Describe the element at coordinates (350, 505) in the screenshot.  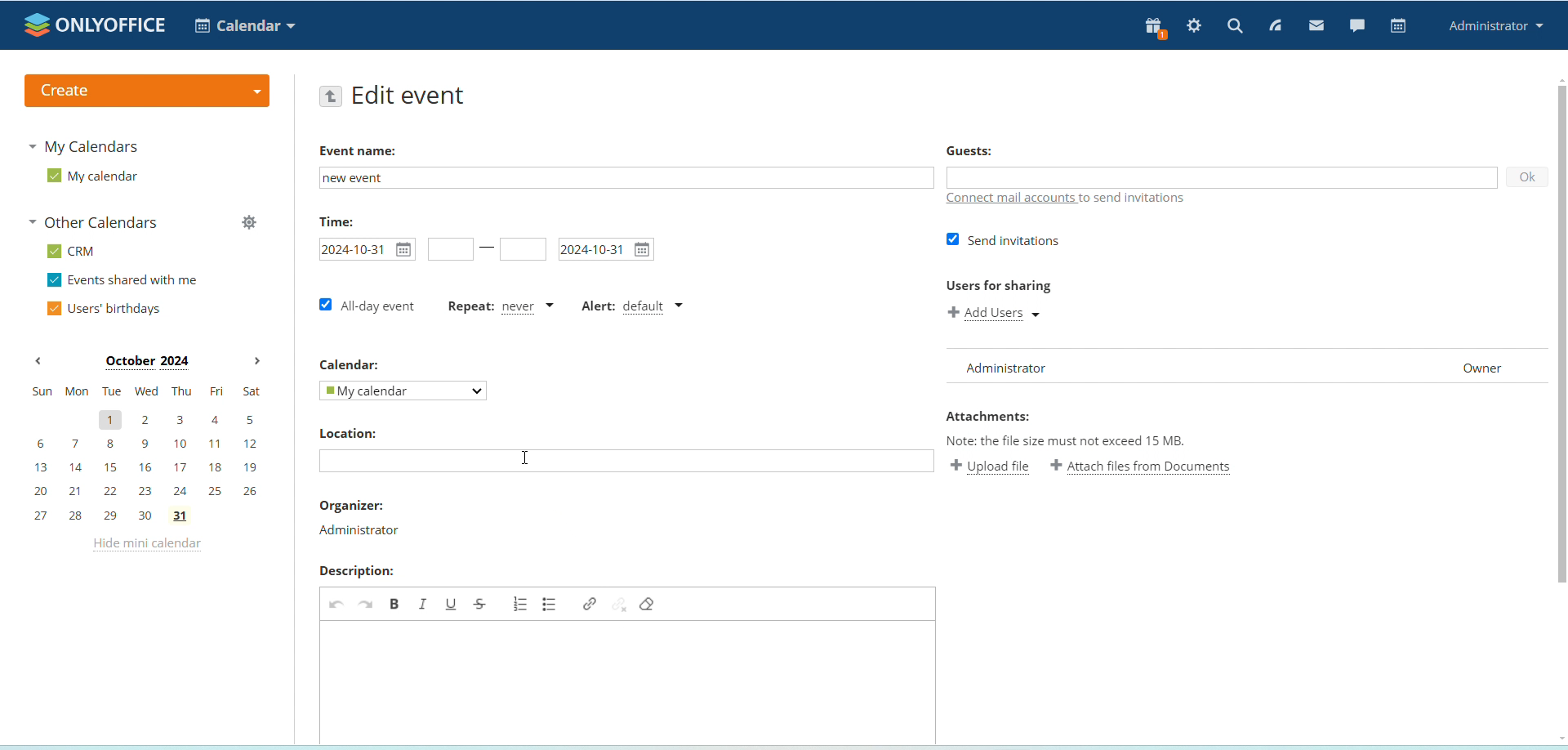
I see `Organizer` at that location.